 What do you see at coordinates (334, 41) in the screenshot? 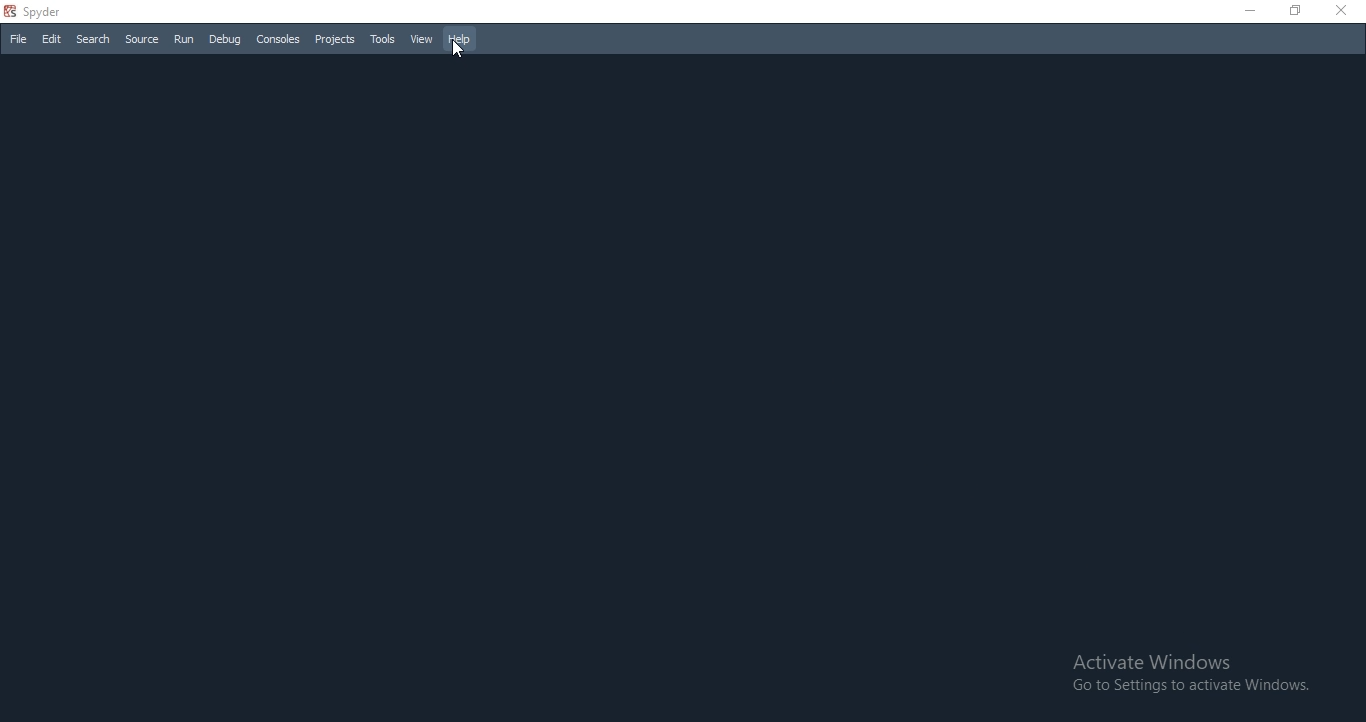
I see `Projects` at bounding box center [334, 41].